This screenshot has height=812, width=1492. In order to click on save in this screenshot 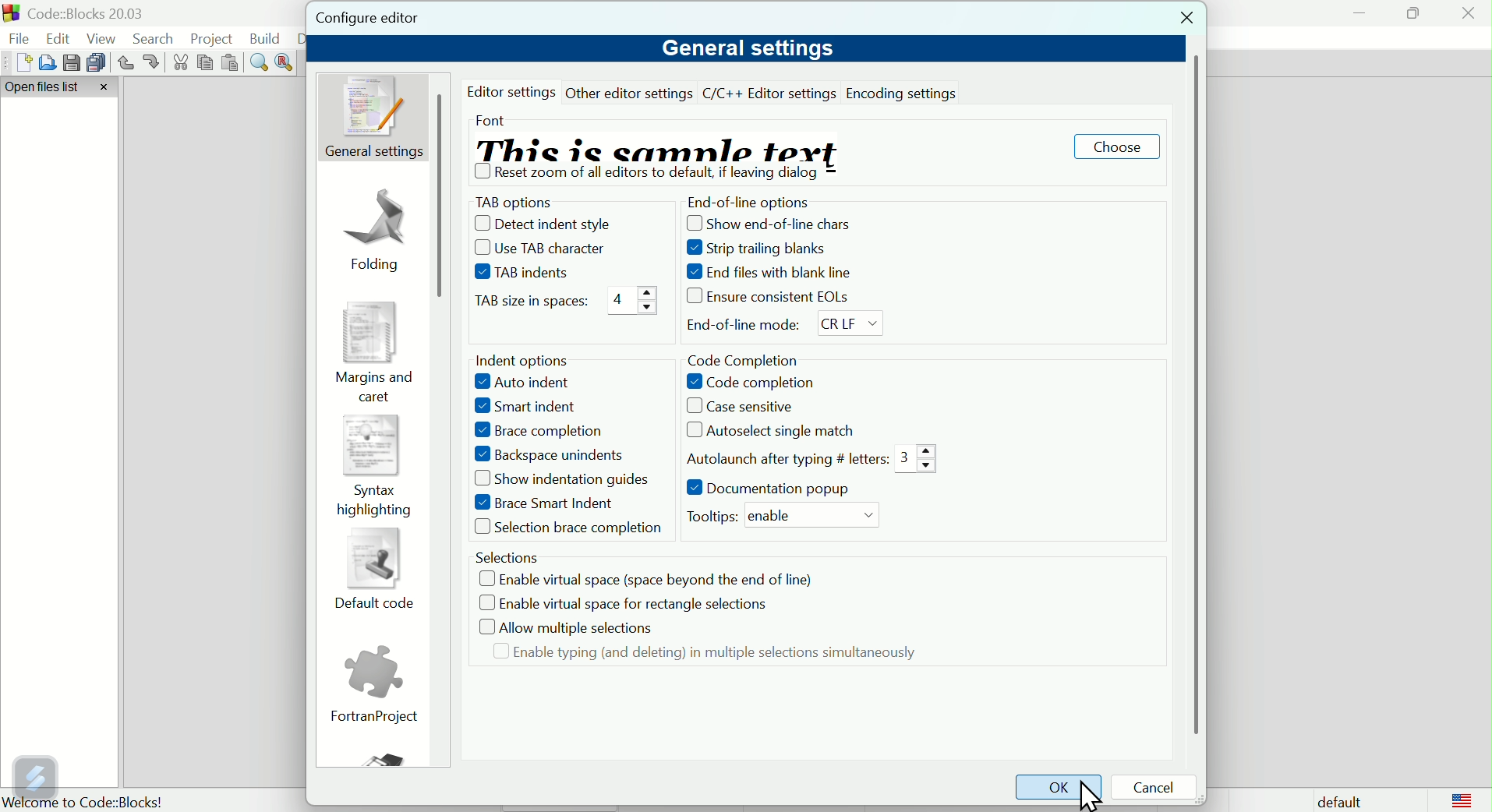, I will do `click(69, 61)`.